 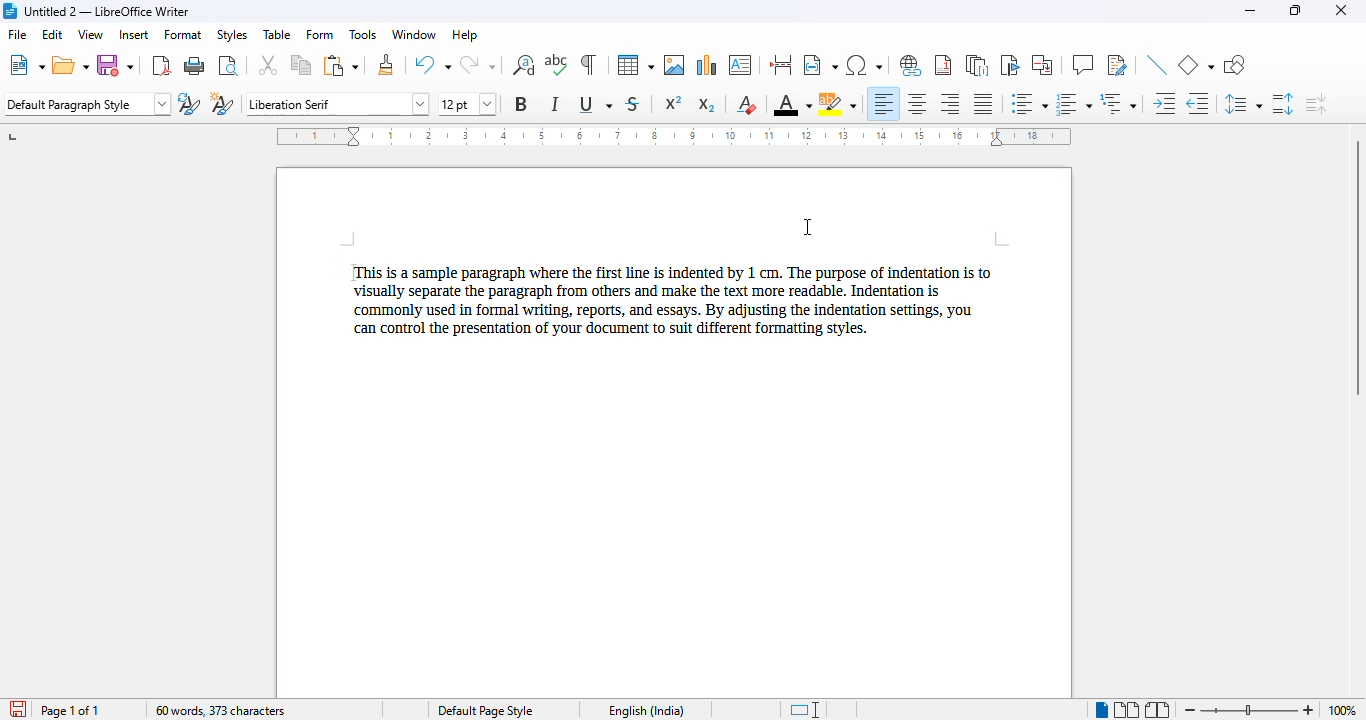 I want to click on copy, so click(x=302, y=65).